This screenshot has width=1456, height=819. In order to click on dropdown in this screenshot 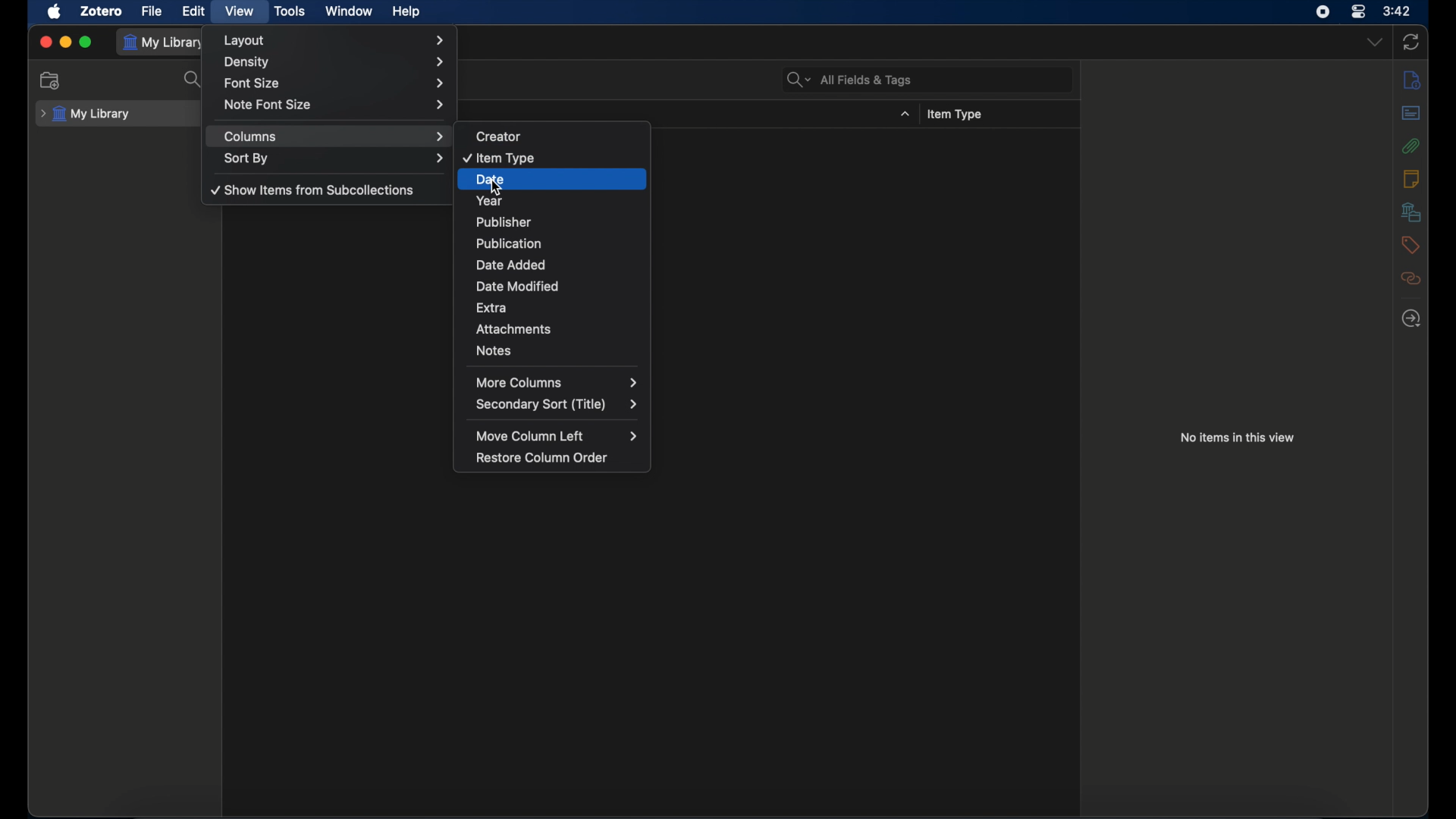, I will do `click(905, 114)`.